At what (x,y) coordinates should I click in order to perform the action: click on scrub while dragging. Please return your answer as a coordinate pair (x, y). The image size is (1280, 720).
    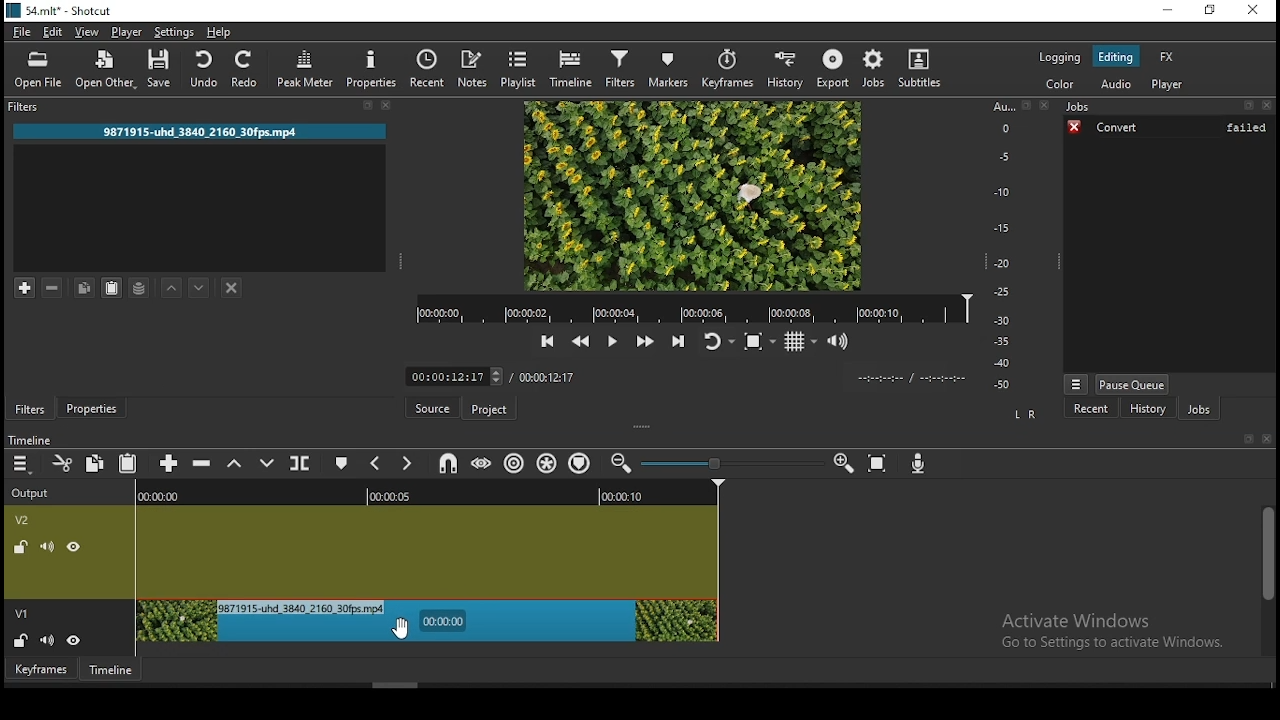
    Looking at the image, I should click on (483, 463).